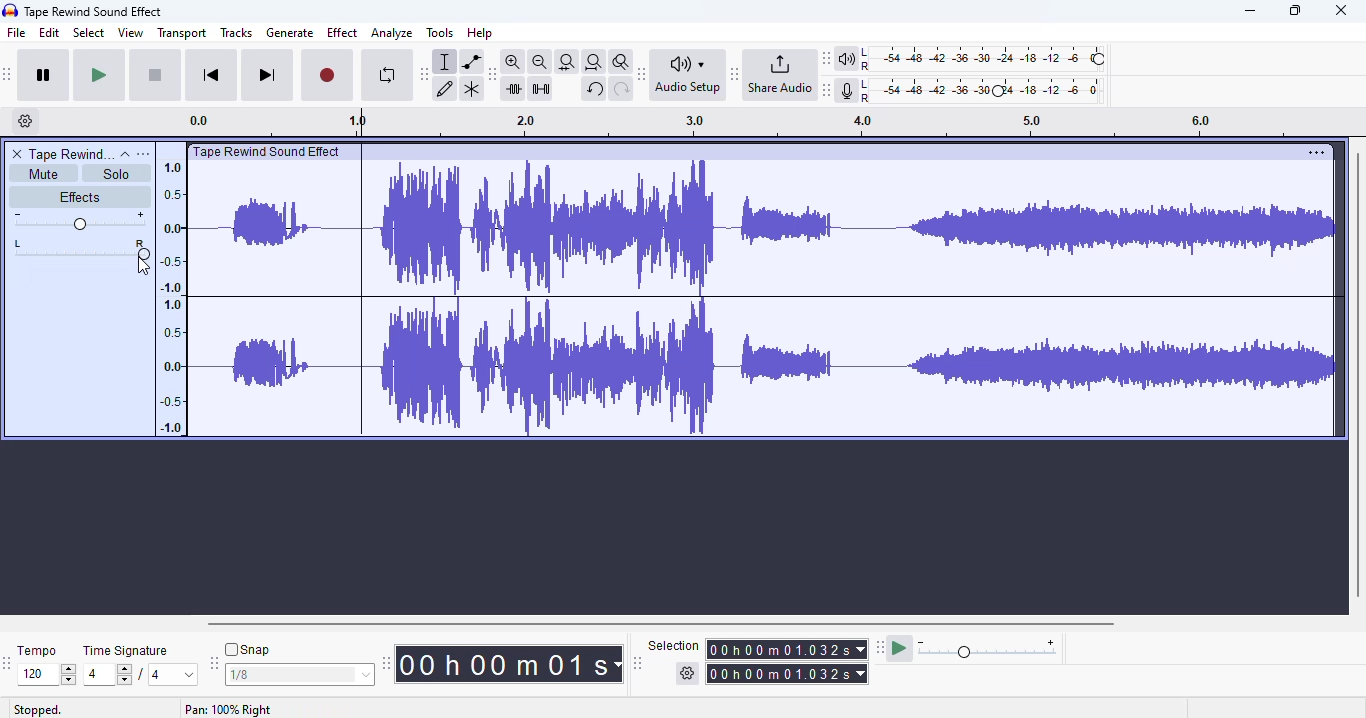  What do you see at coordinates (472, 90) in the screenshot?
I see `multi-tool` at bounding box center [472, 90].